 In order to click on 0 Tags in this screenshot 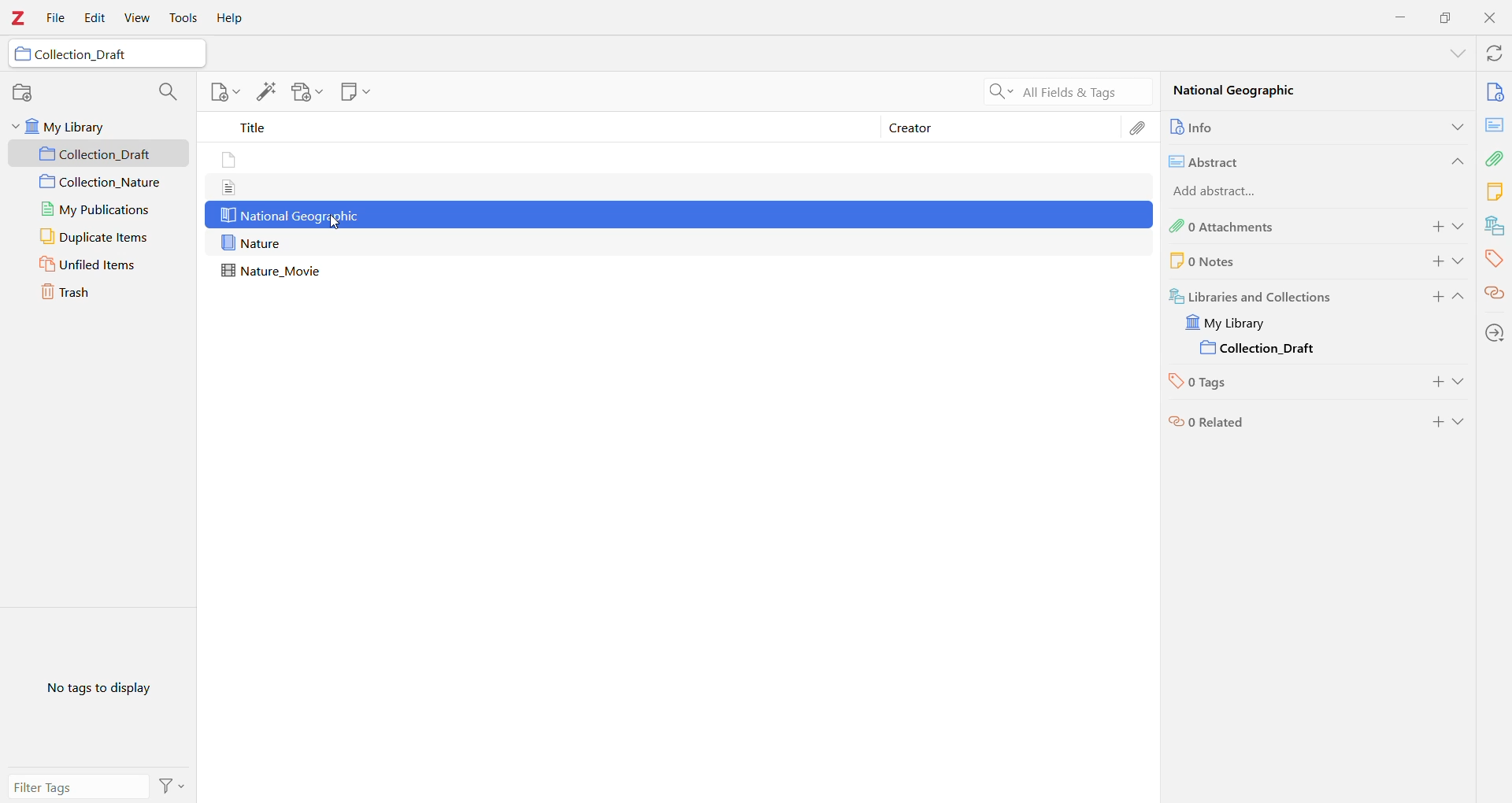, I will do `click(1276, 384)`.